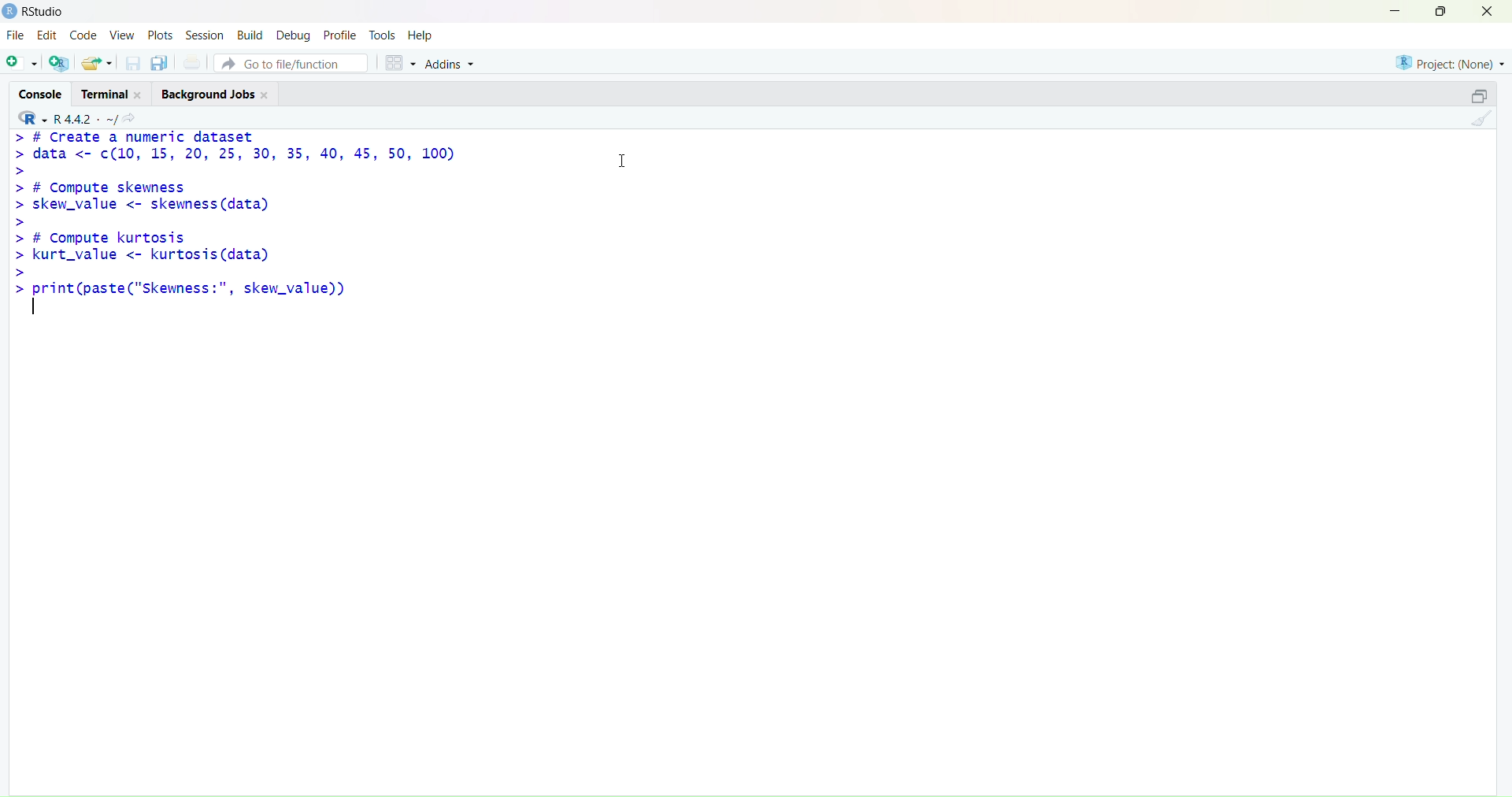 The image size is (1512, 797). I want to click on Addins, so click(455, 63).